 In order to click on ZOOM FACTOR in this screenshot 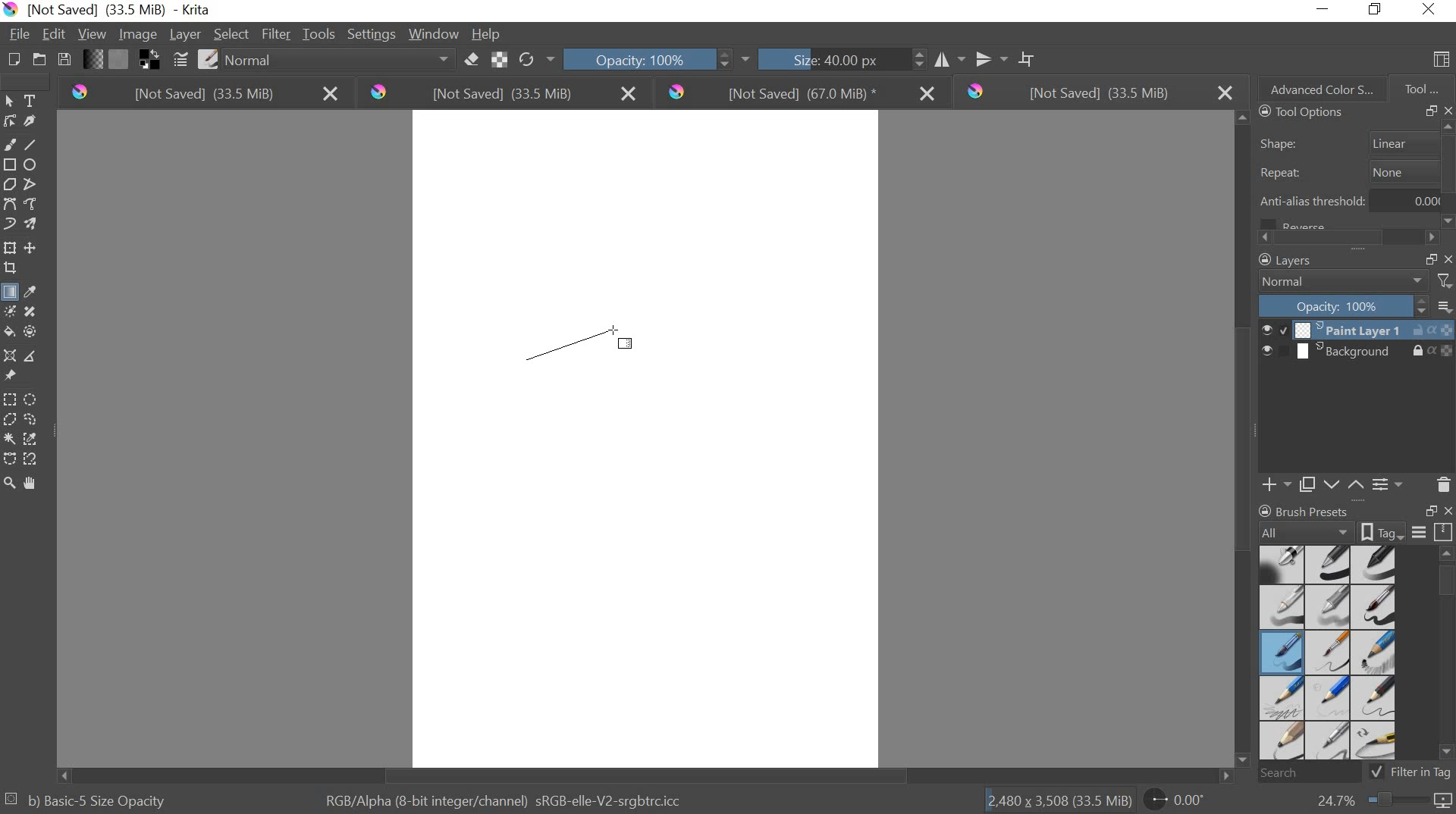, I will do `click(1379, 803)`.